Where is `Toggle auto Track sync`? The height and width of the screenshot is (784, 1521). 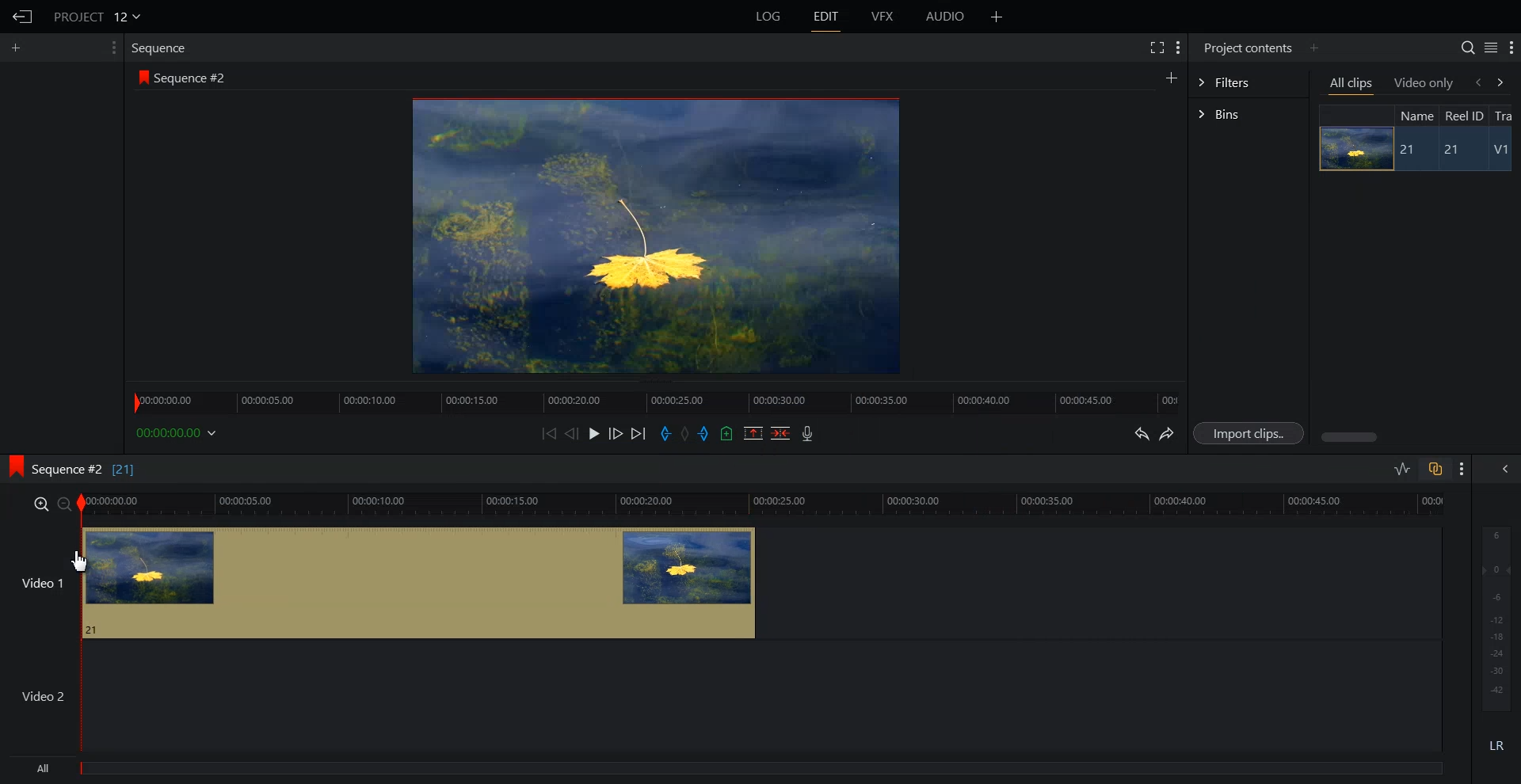
Toggle auto Track sync is located at coordinates (1435, 469).